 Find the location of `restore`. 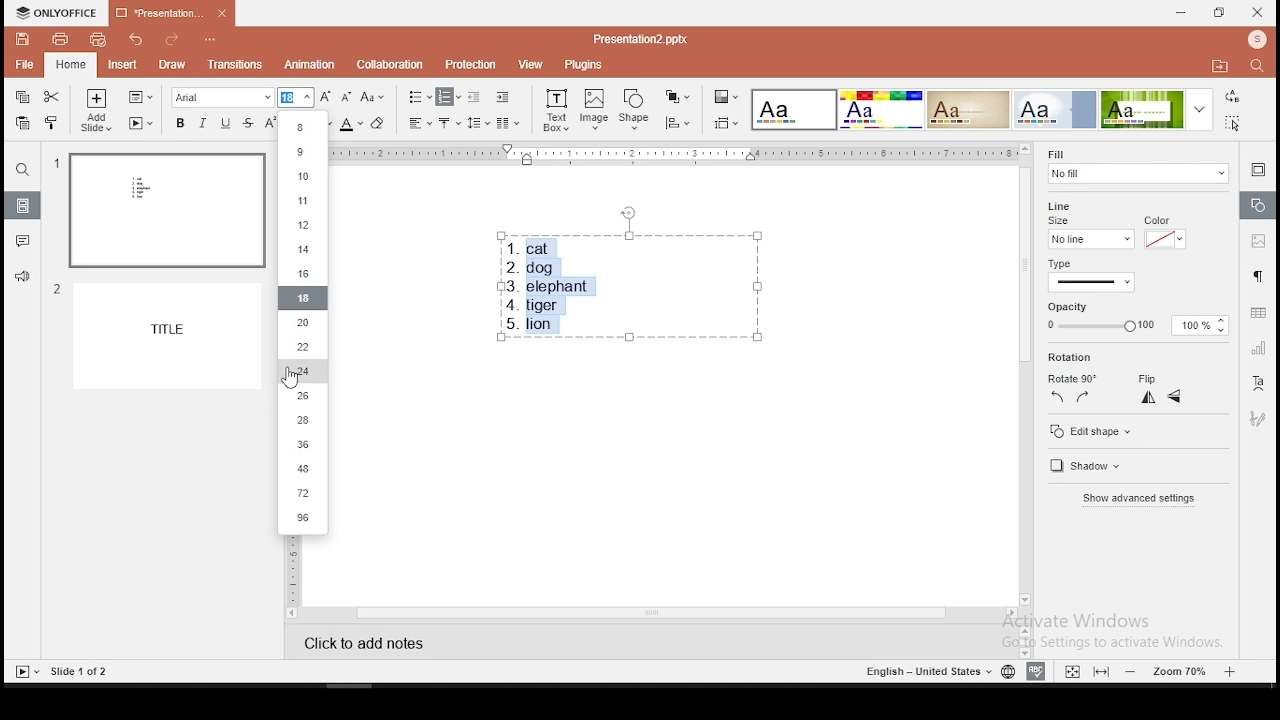

restore is located at coordinates (1217, 13).